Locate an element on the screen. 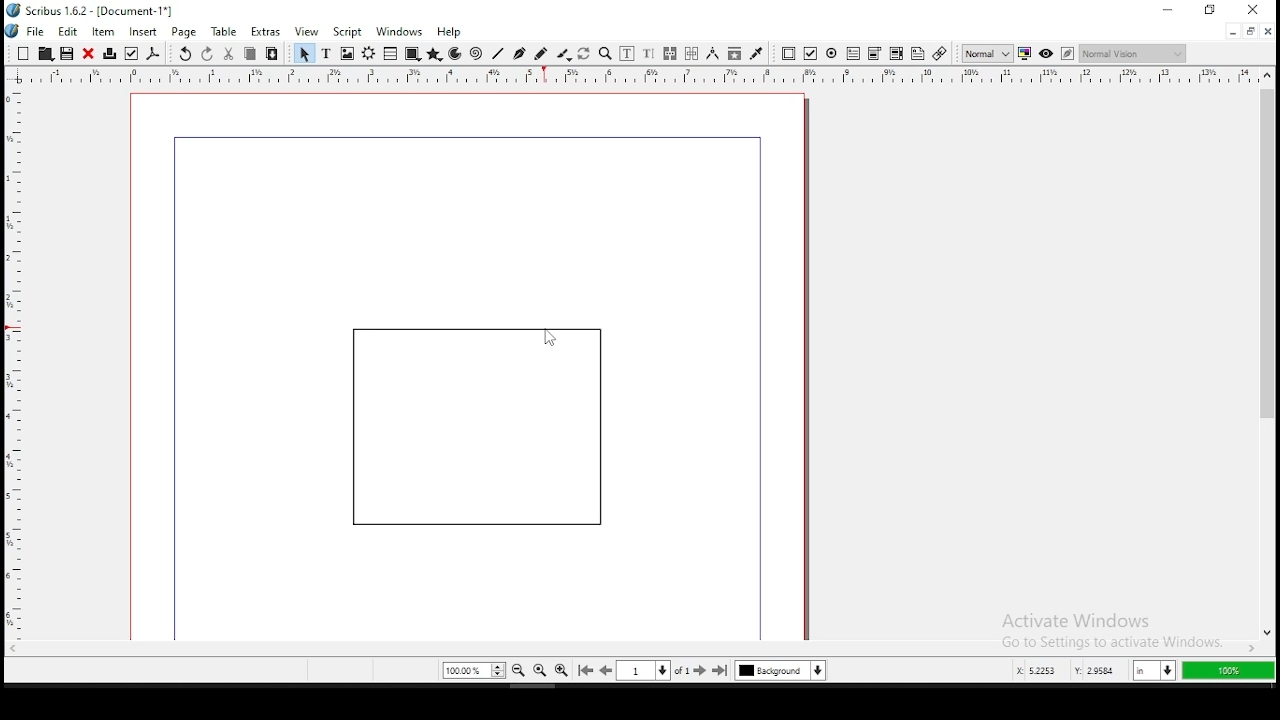 The width and height of the screenshot is (1280, 720). eyedropper is located at coordinates (757, 55).